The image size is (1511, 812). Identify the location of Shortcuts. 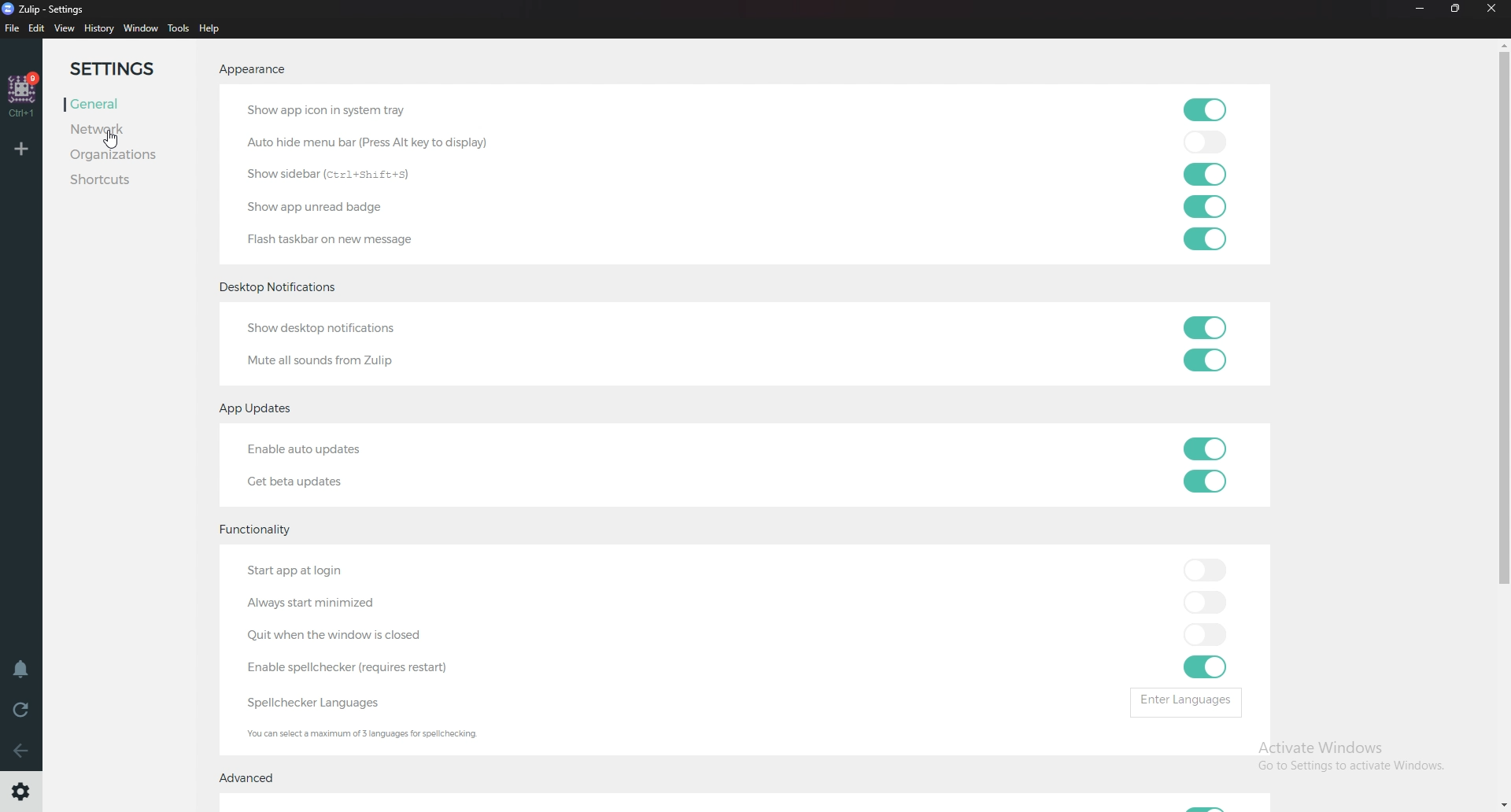
(122, 181).